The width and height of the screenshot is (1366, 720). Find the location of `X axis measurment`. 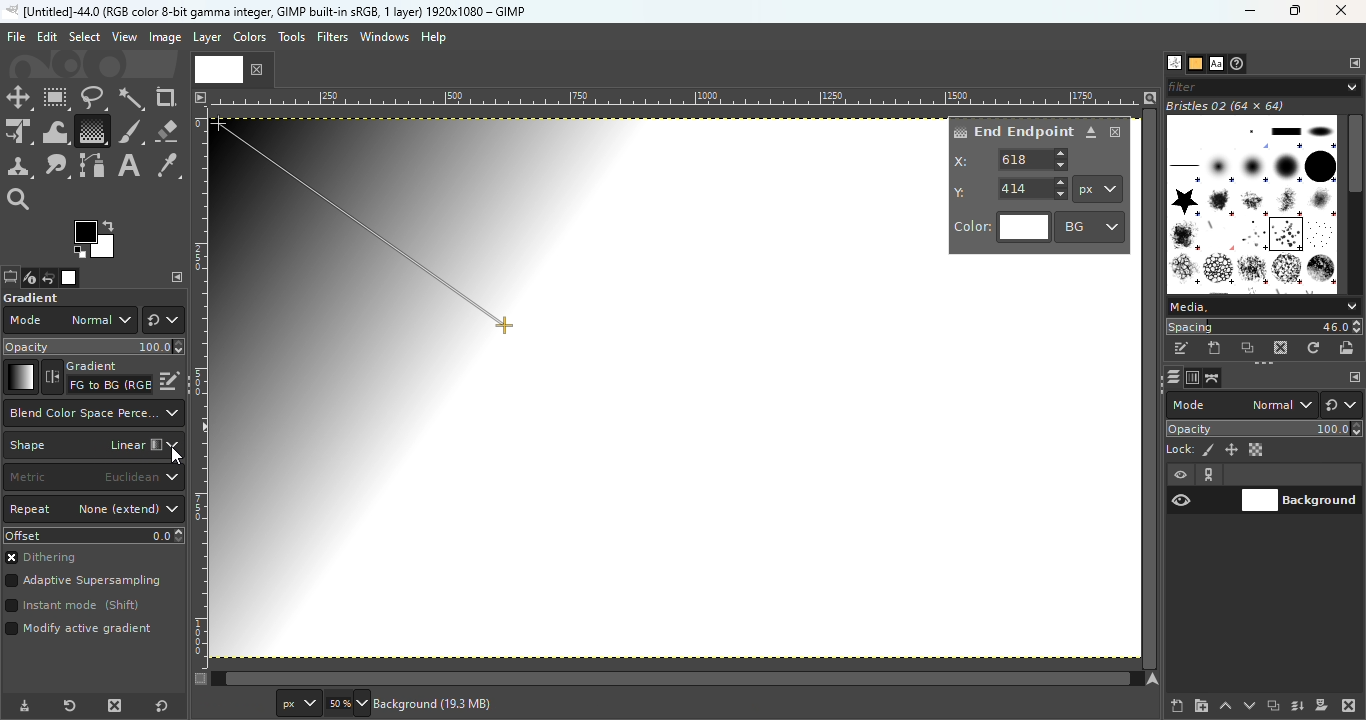

X axis measurment is located at coordinates (1012, 159).